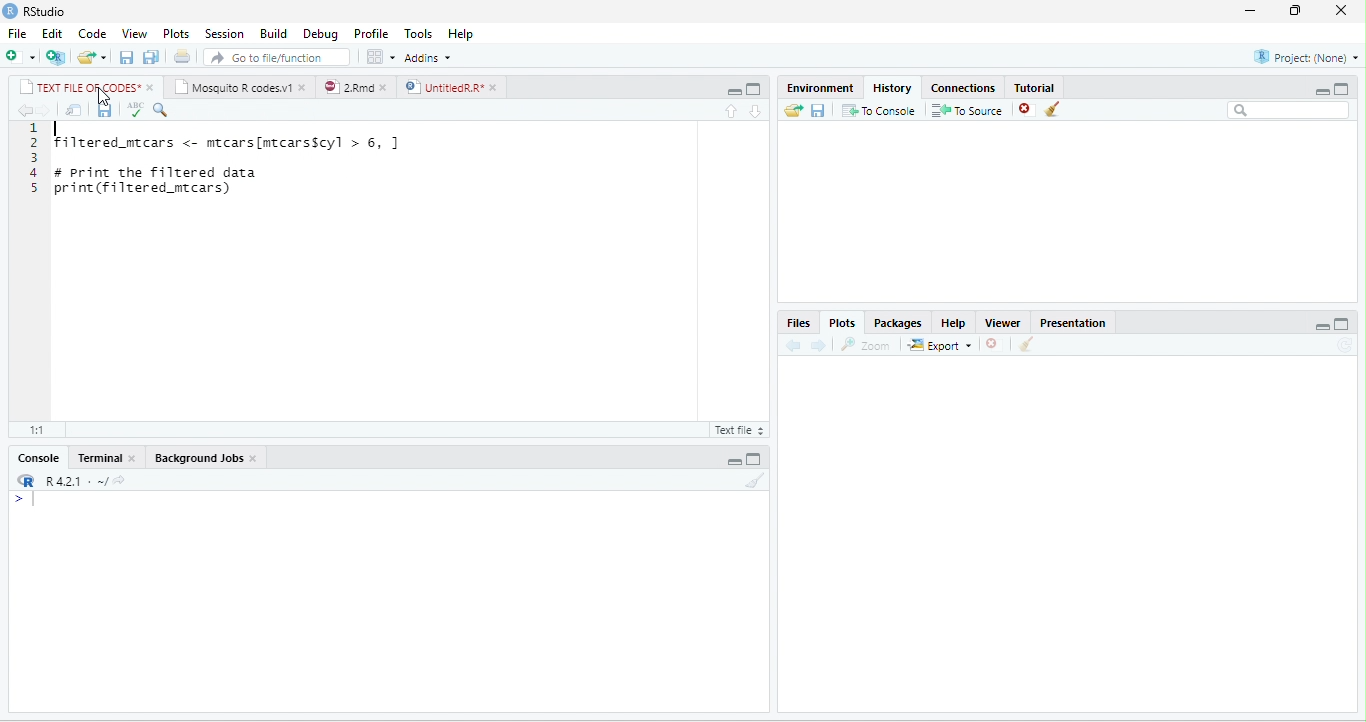 This screenshot has height=722, width=1366. I want to click on R script, so click(738, 430).